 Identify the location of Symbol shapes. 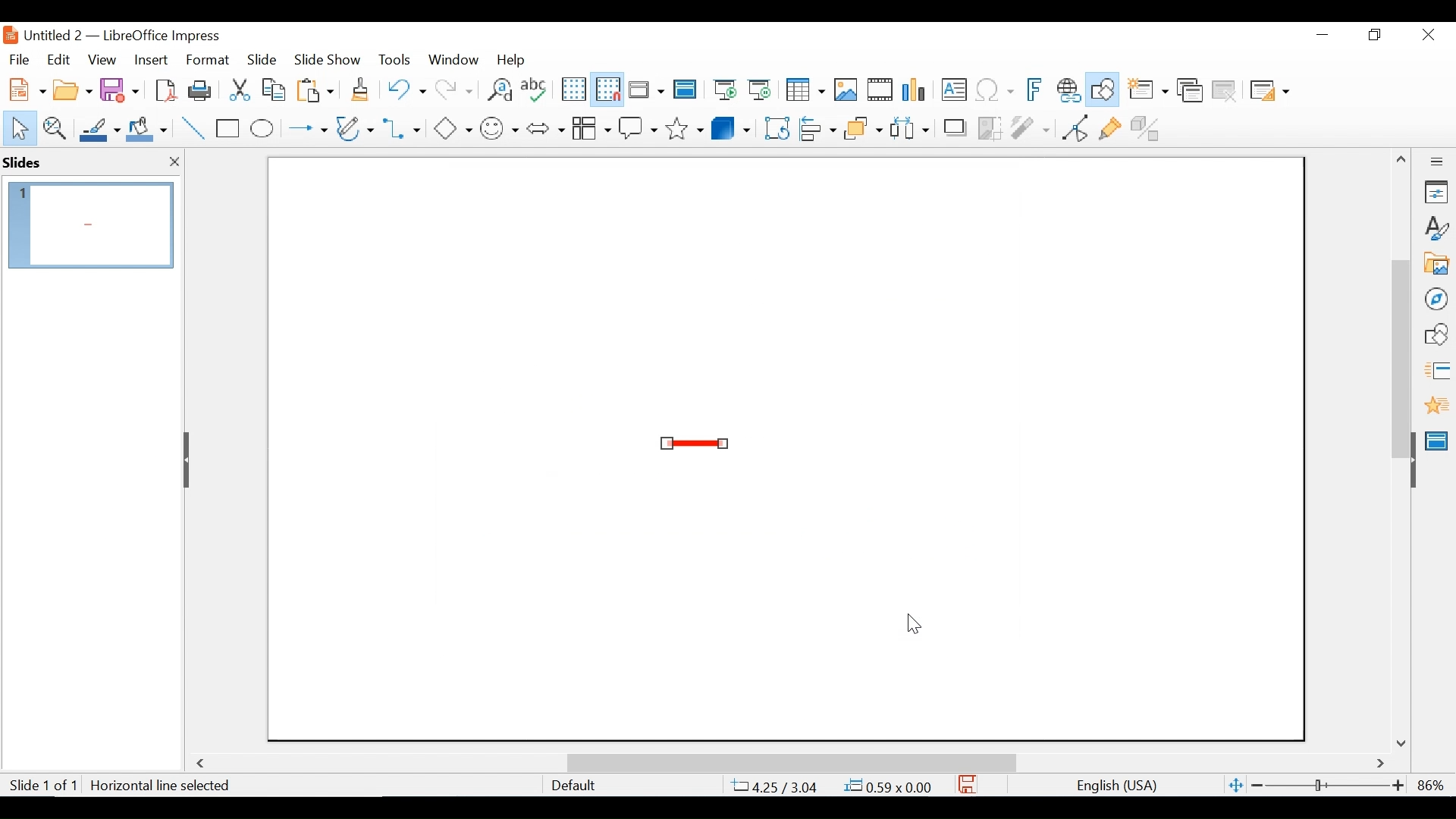
(500, 127).